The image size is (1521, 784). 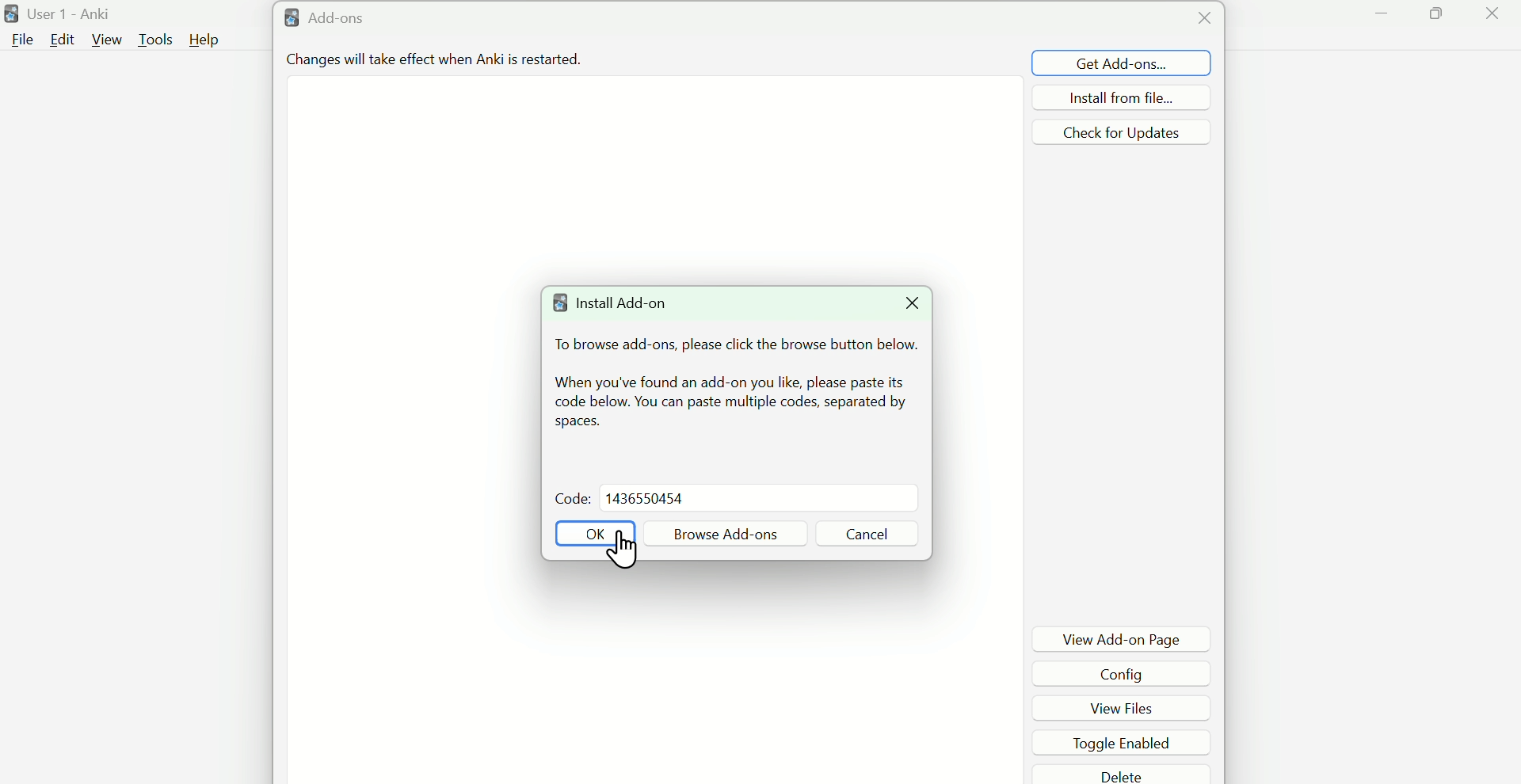 What do you see at coordinates (908, 304) in the screenshot?
I see `Close` at bounding box center [908, 304].